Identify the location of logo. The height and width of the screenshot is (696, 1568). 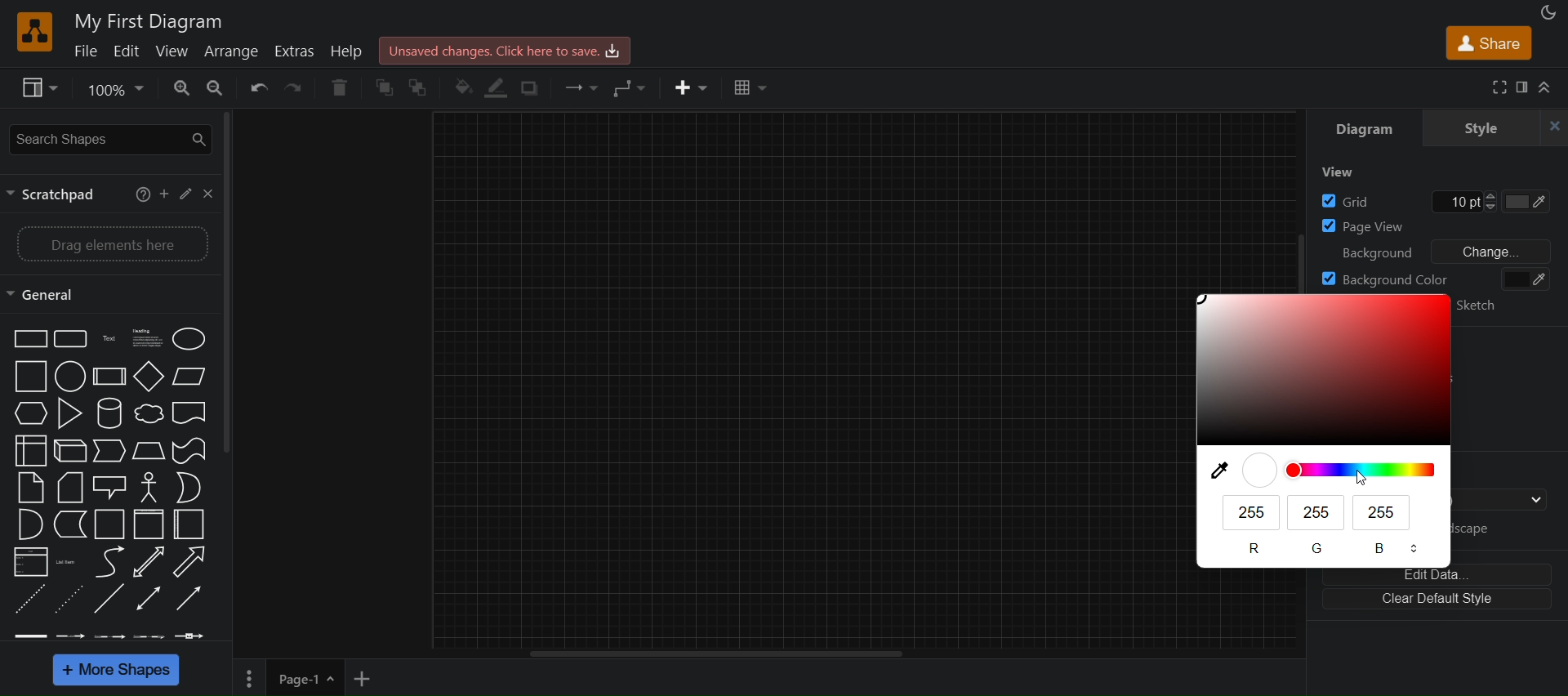
(35, 30).